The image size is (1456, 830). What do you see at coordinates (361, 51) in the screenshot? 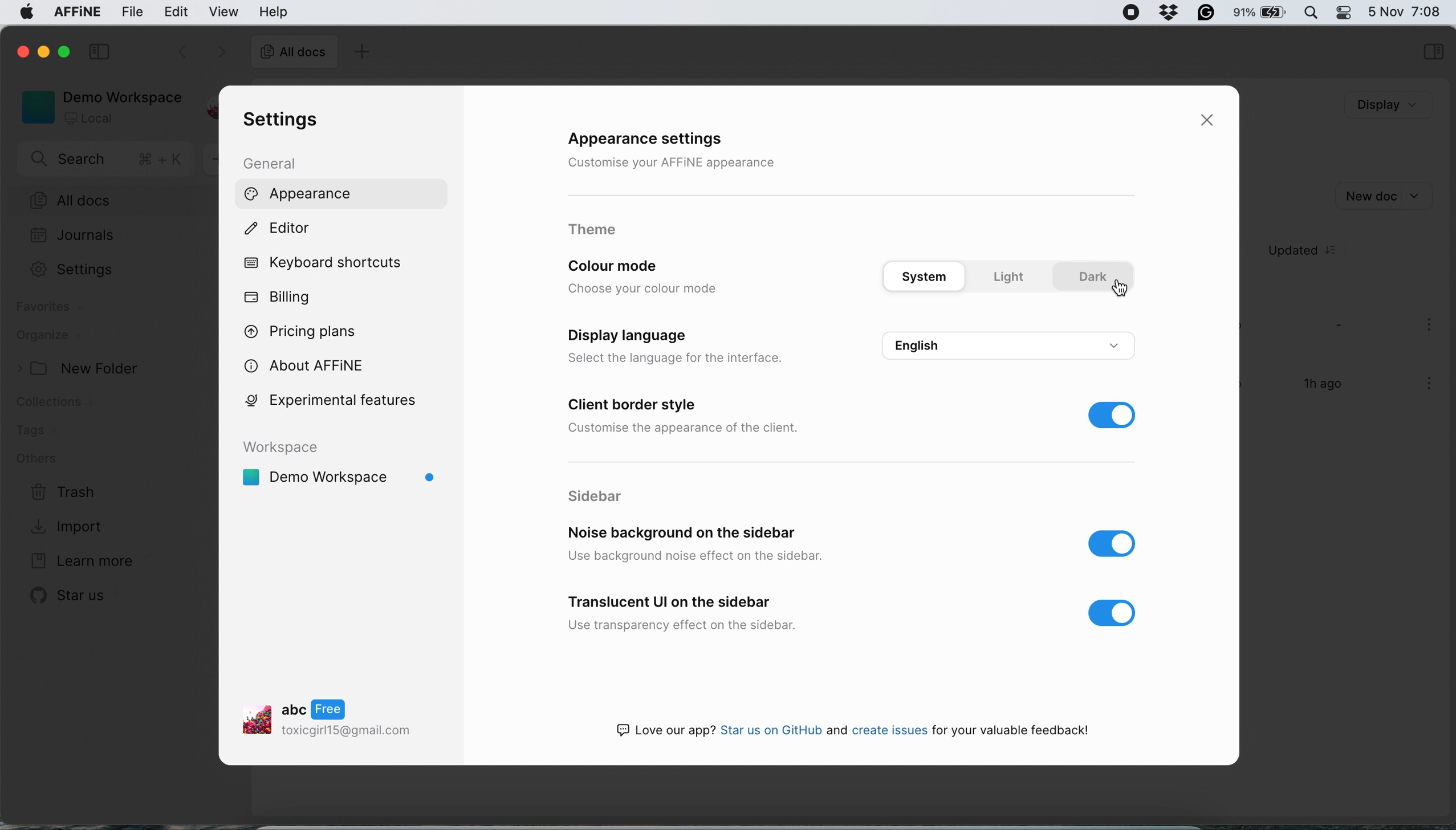
I see `new tab` at bounding box center [361, 51].